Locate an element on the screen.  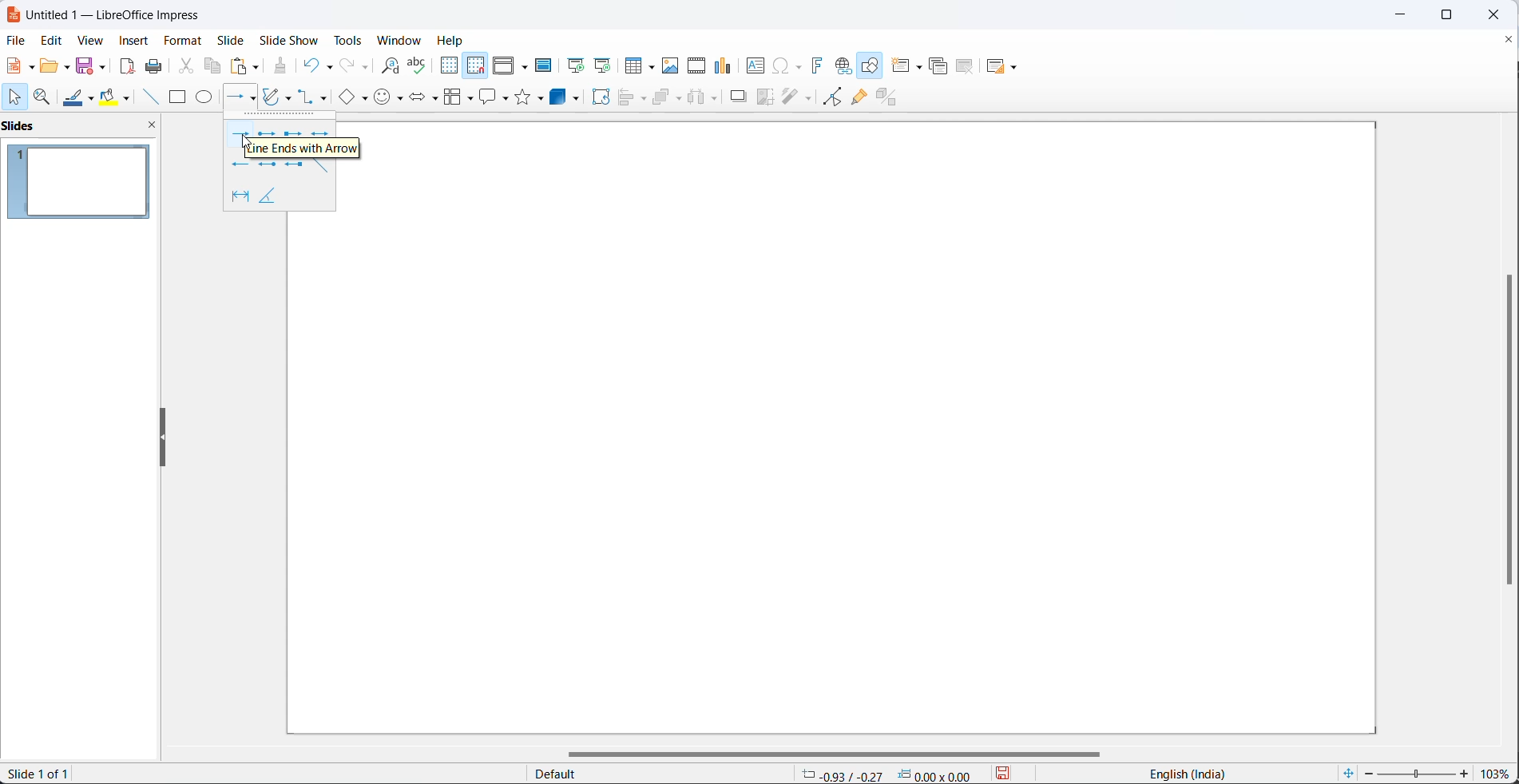
insert special characters is located at coordinates (787, 65).